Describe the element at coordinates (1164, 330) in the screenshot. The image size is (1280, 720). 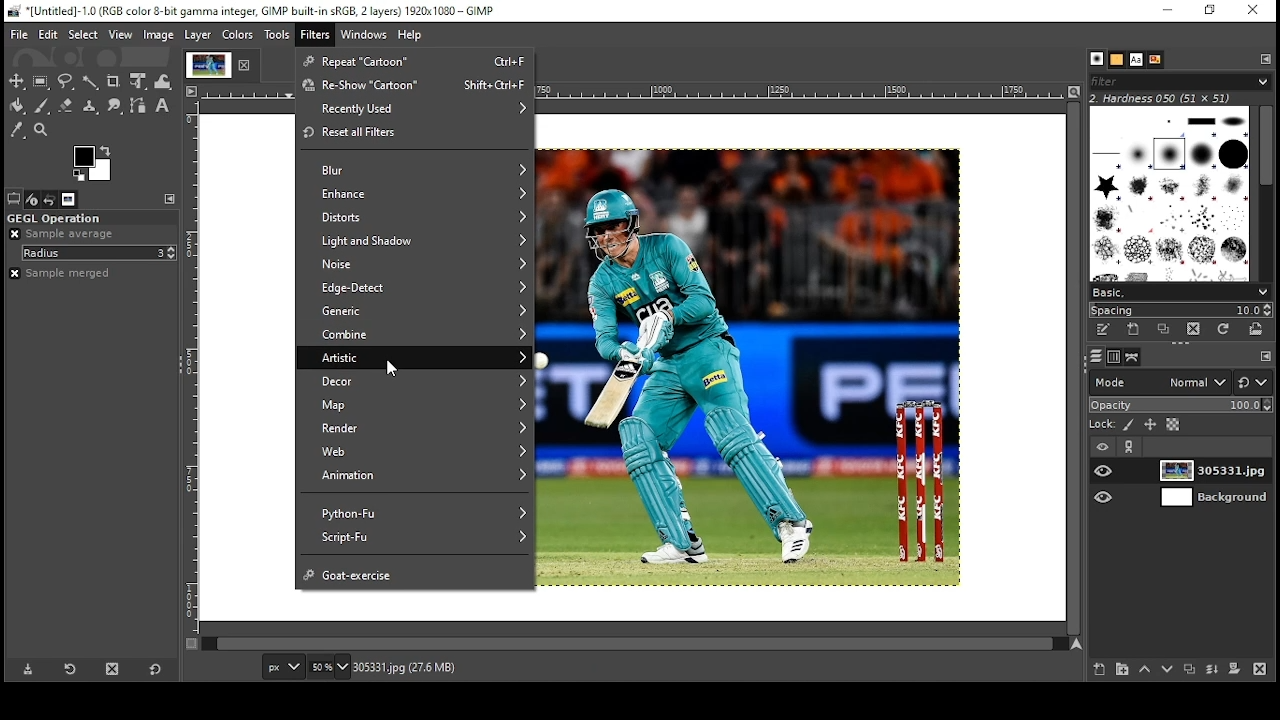
I see `duplicate brush` at that location.